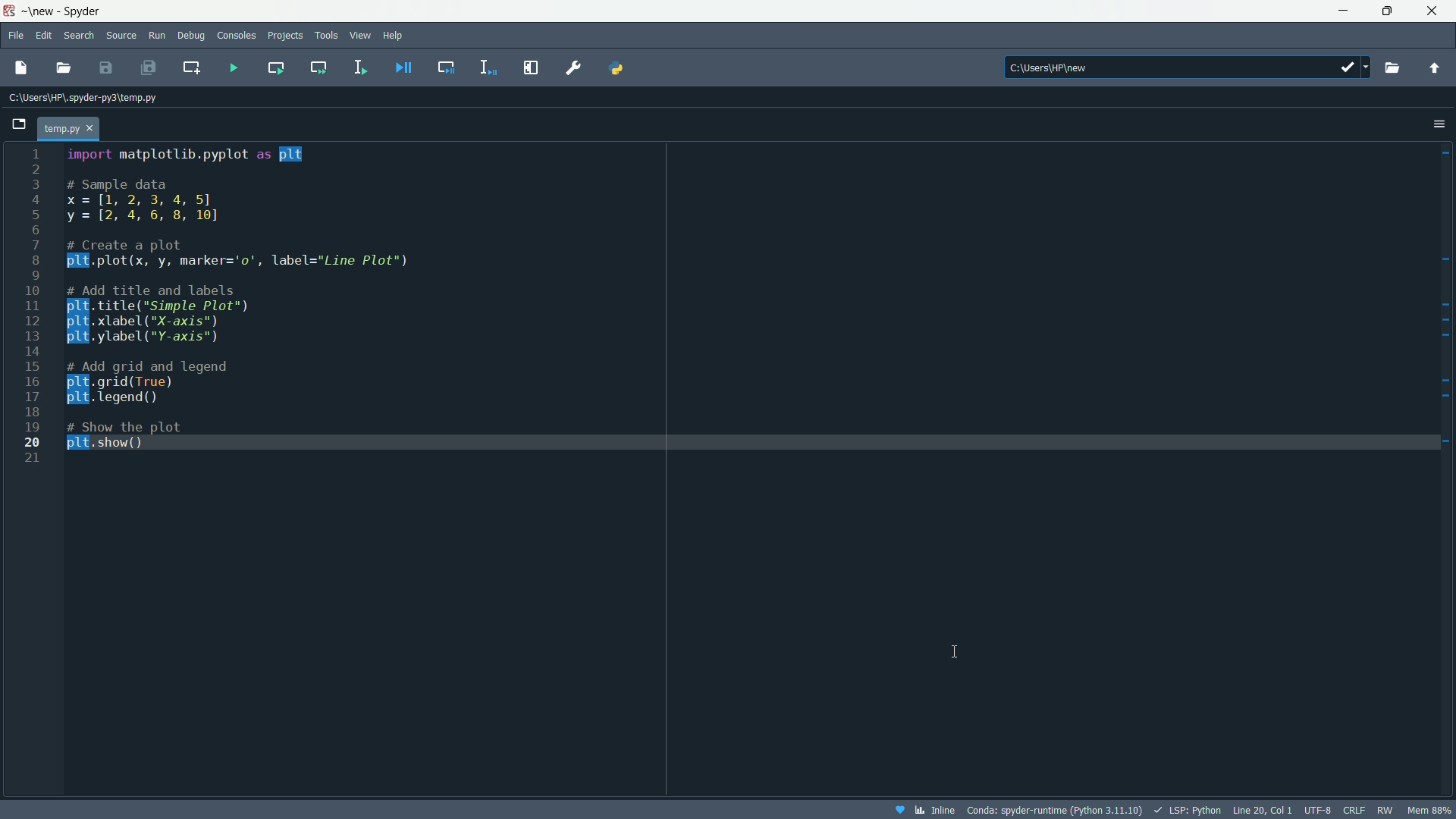 The image size is (1456, 819). What do you see at coordinates (962, 649) in the screenshot?
I see `cursor` at bounding box center [962, 649].